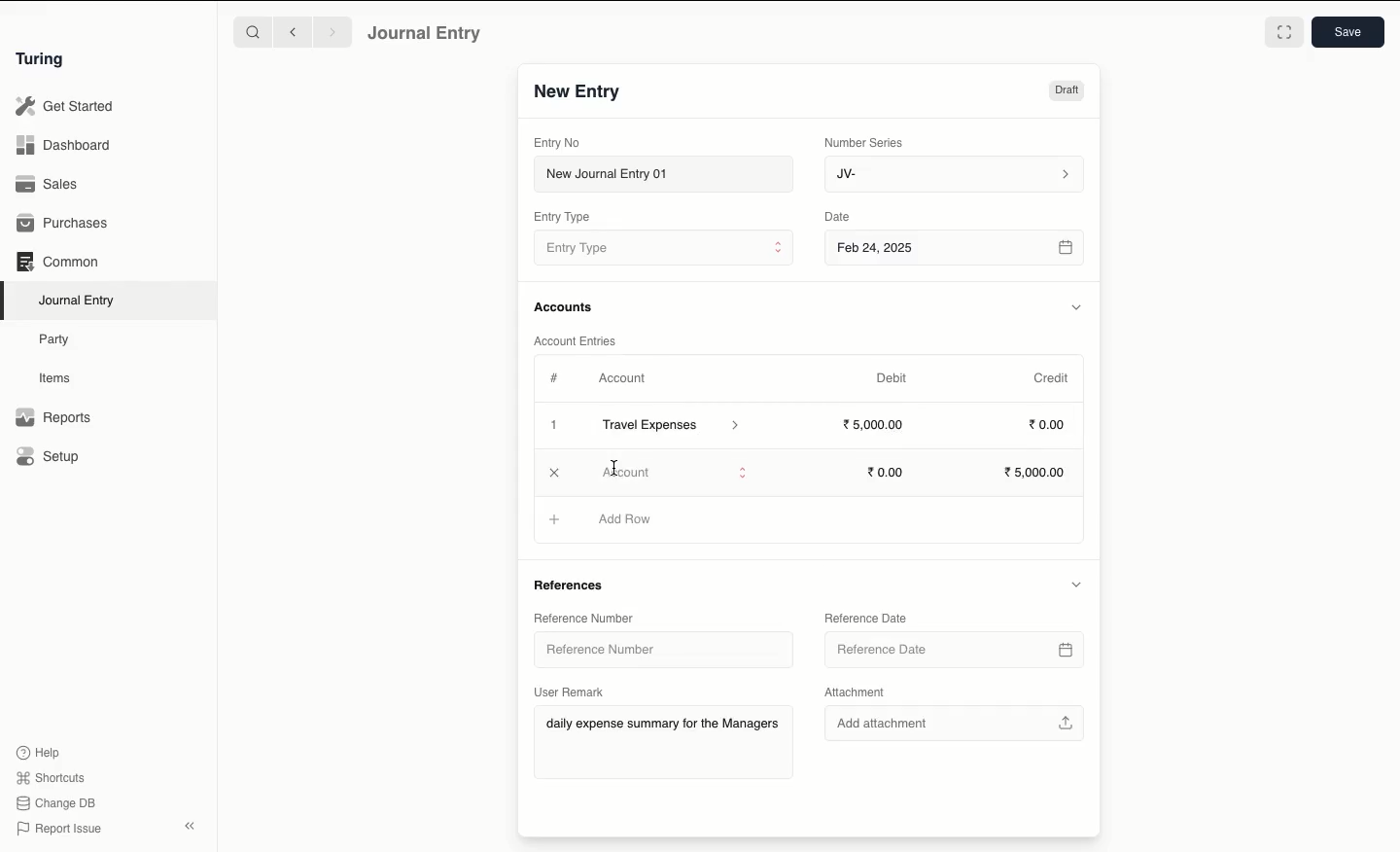 Image resolution: width=1400 pixels, height=852 pixels. I want to click on Get Started, so click(66, 107).